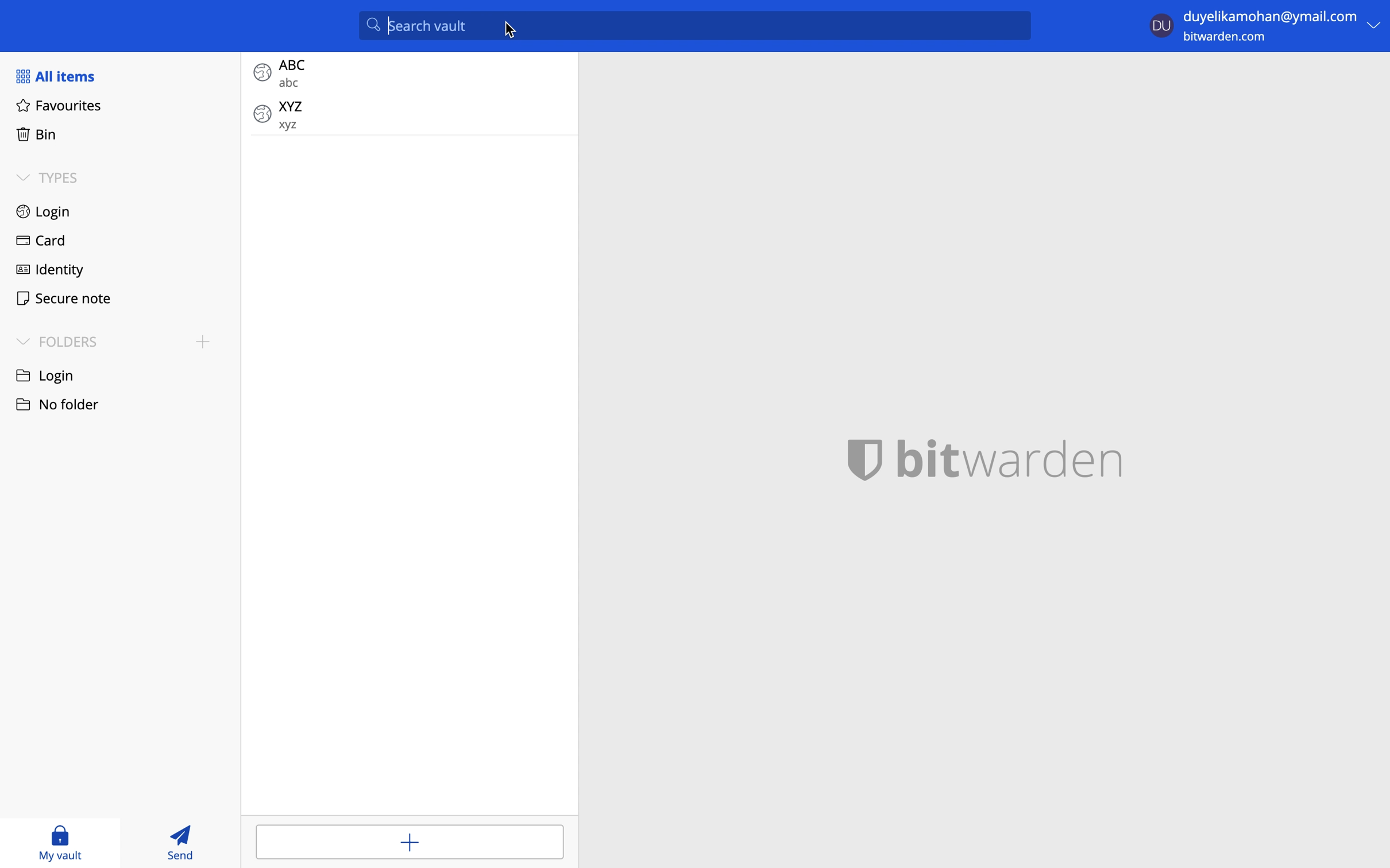  What do you see at coordinates (59, 845) in the screenshot?
I see `my vault` at bounding box center [59, 845].